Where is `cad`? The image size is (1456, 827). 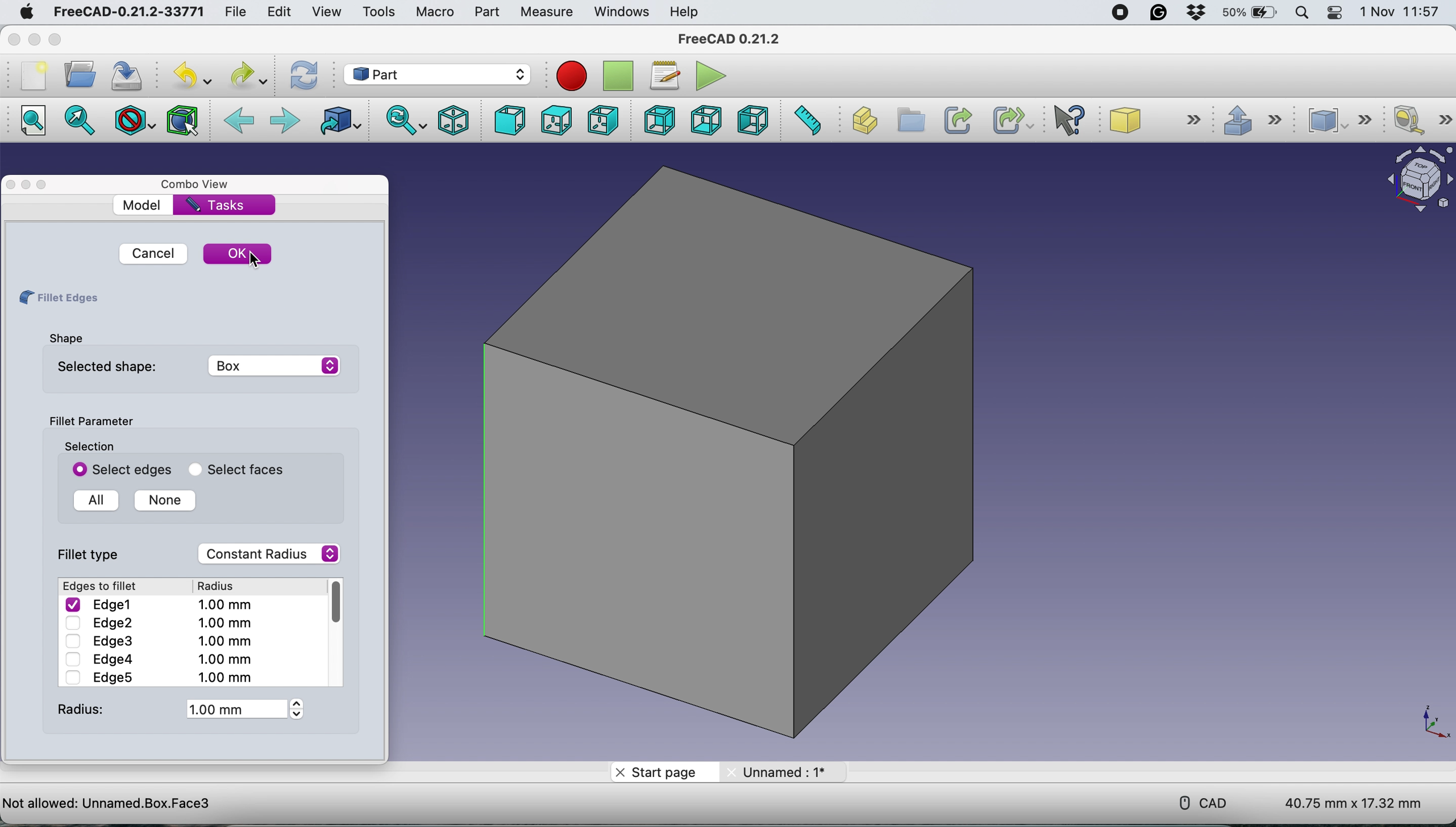
cad is located at coordinates (1195, 801).